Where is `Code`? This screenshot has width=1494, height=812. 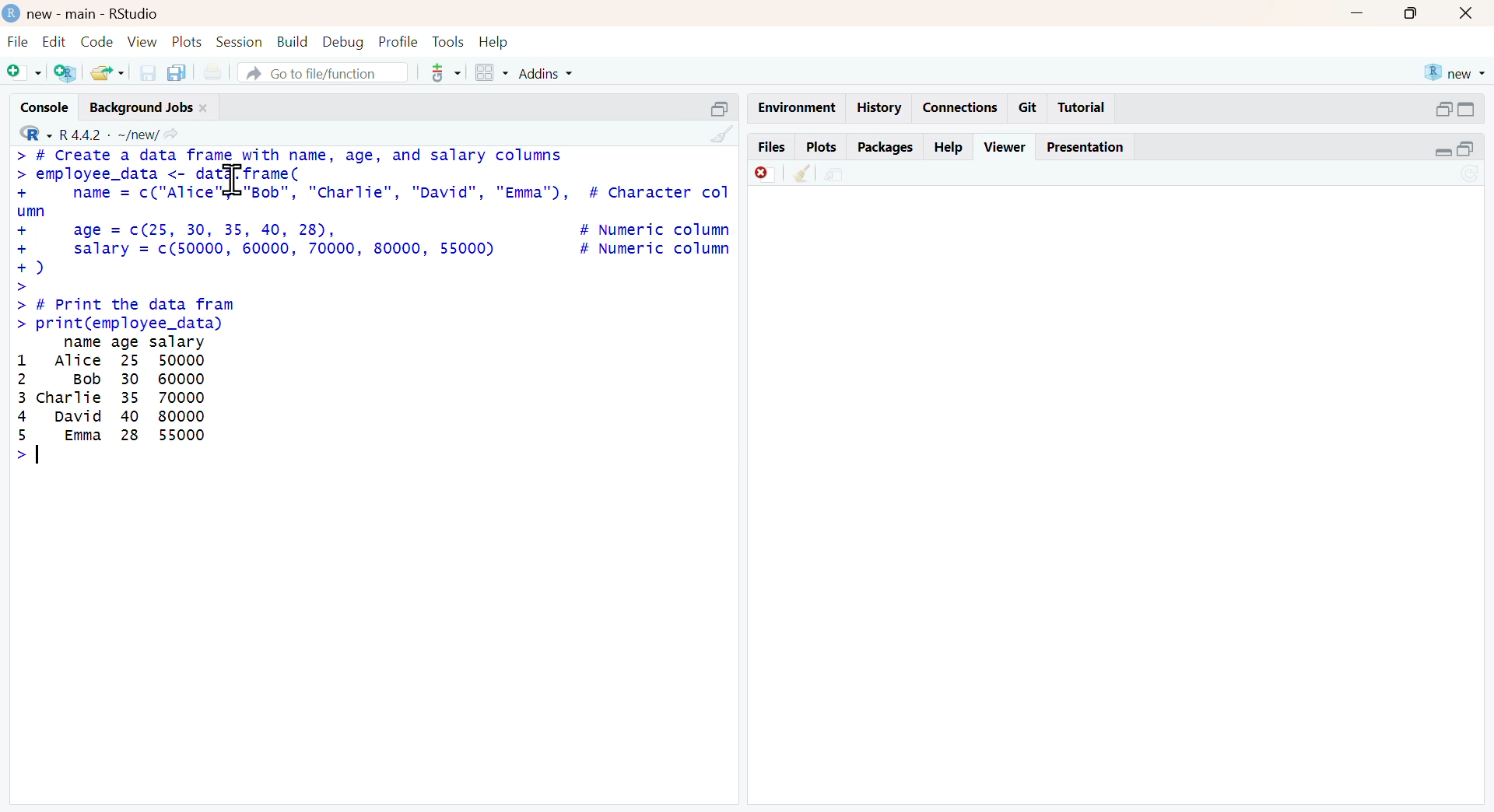 Code is located at coordinates (96, 40).